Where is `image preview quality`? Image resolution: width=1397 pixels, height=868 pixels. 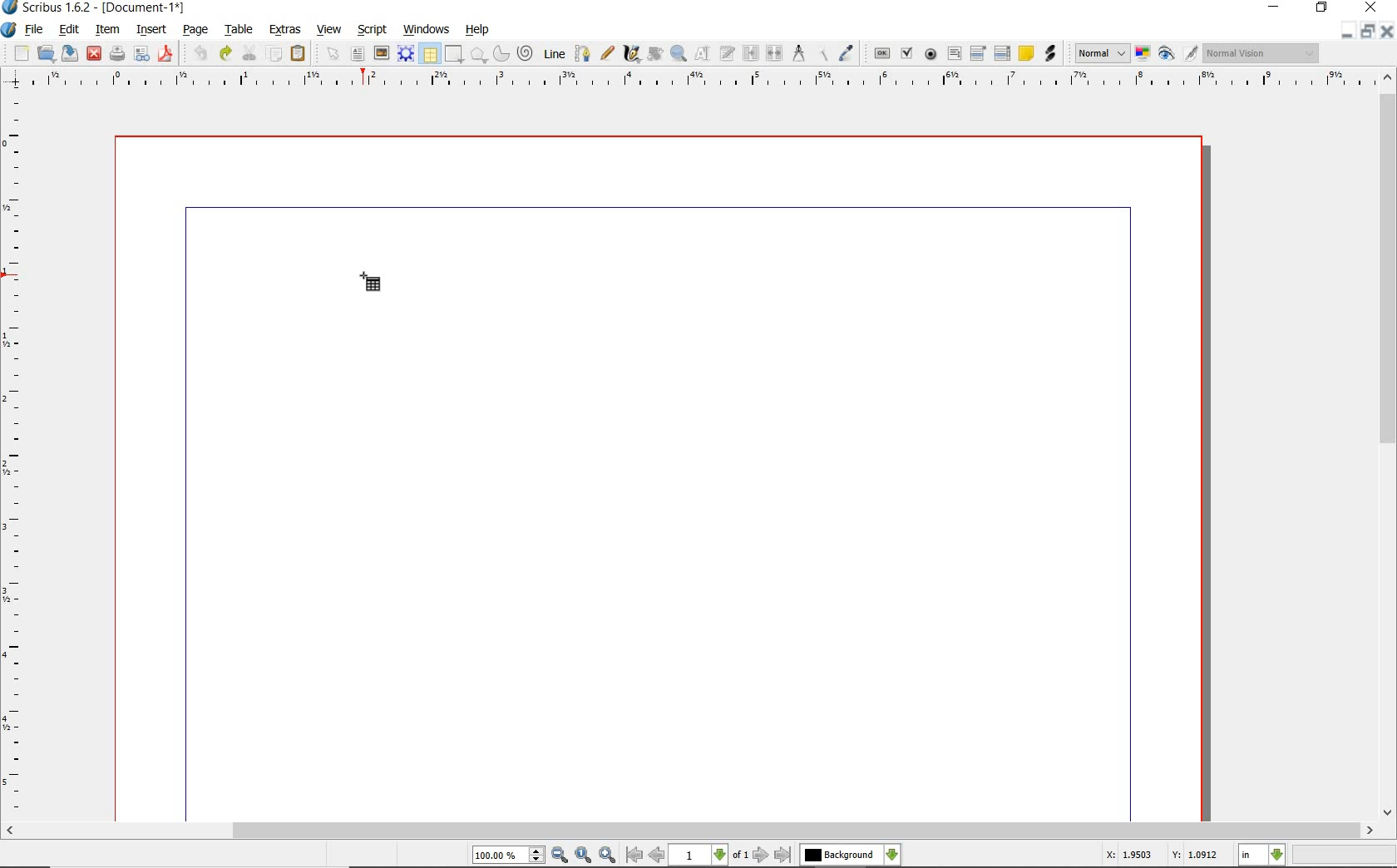 image preview quality is located at coordinates (1101, 52).